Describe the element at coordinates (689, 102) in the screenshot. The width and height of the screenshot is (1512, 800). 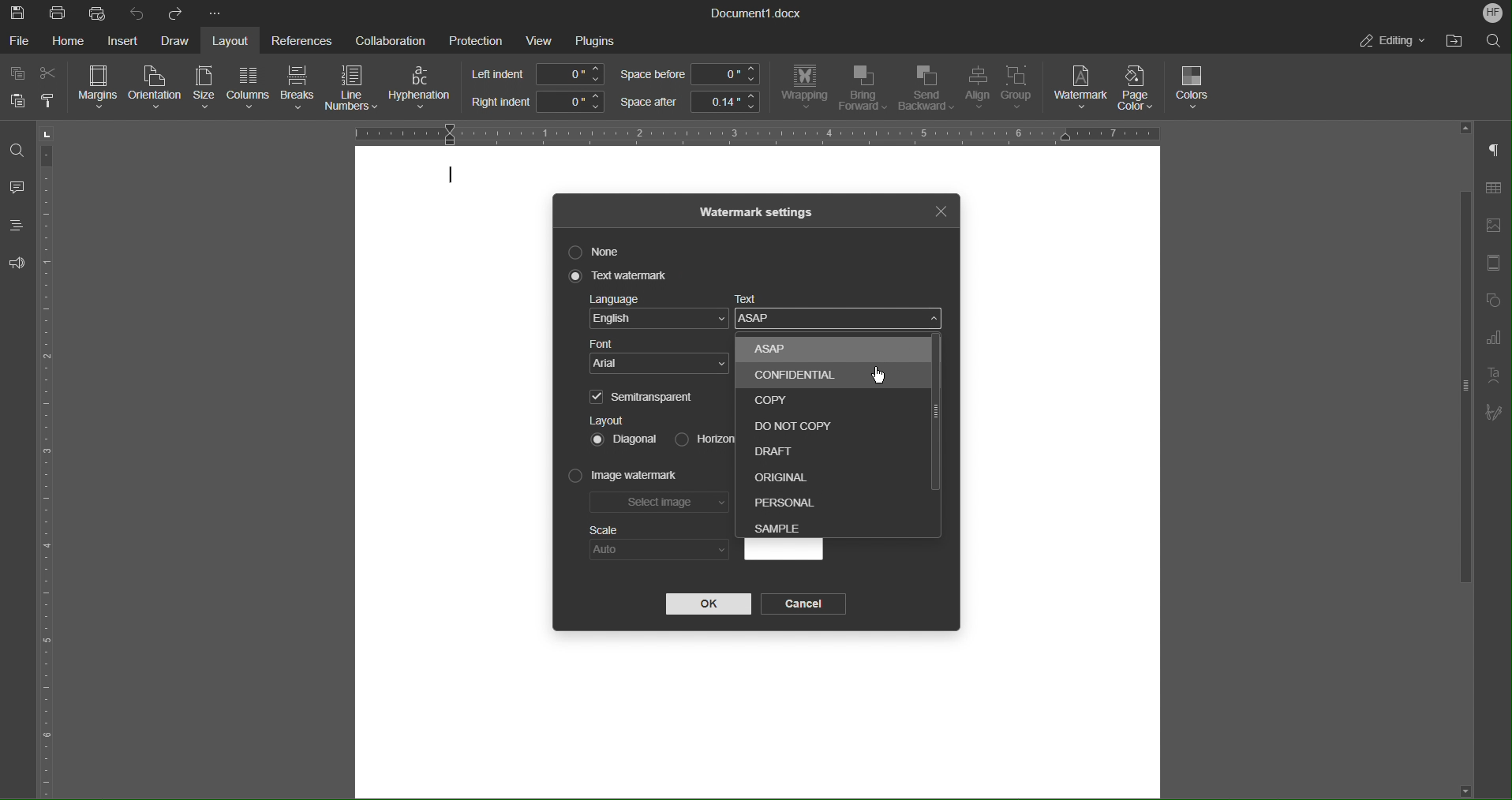
I see `Space after` at that location.